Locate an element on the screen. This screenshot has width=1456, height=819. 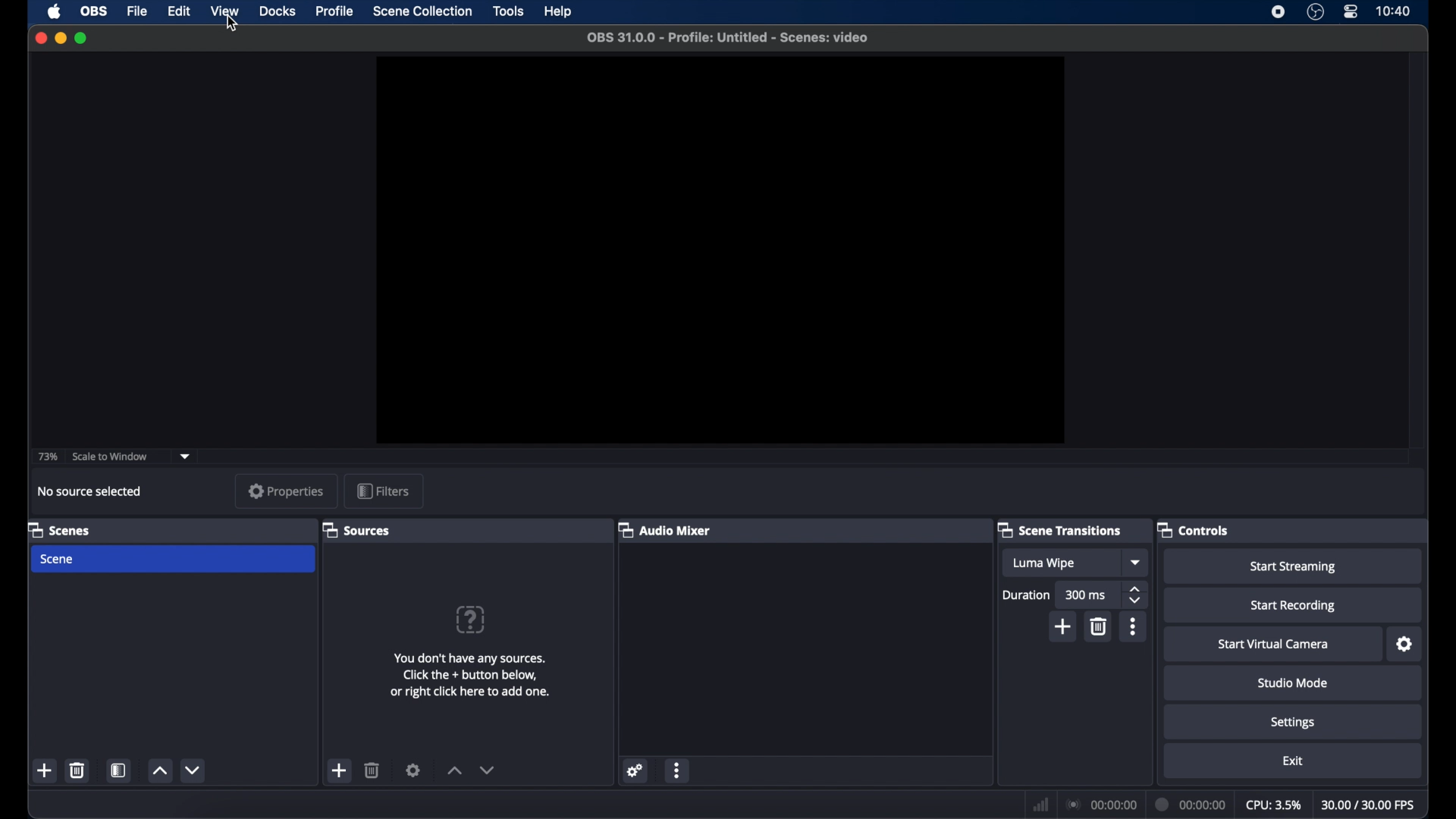
dropdown is located at coordinates (186, 455).